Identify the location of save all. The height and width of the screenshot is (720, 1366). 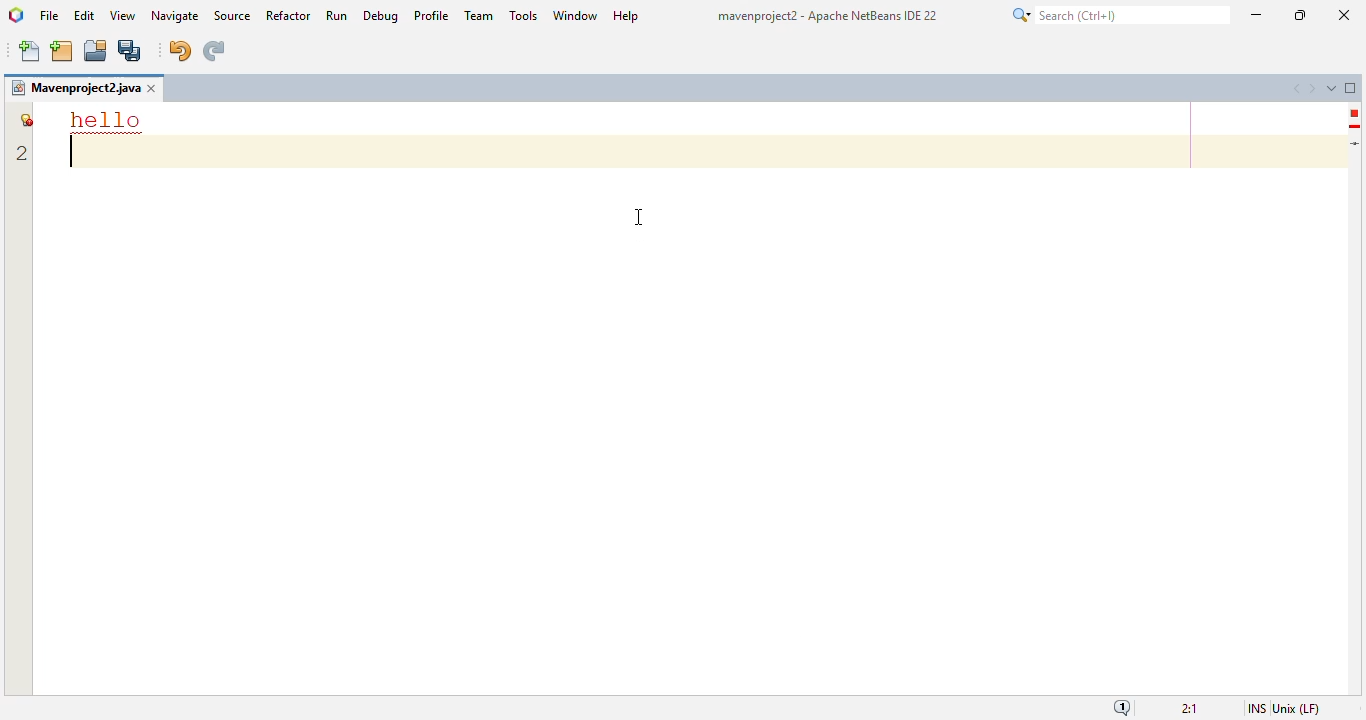
(130, 51).